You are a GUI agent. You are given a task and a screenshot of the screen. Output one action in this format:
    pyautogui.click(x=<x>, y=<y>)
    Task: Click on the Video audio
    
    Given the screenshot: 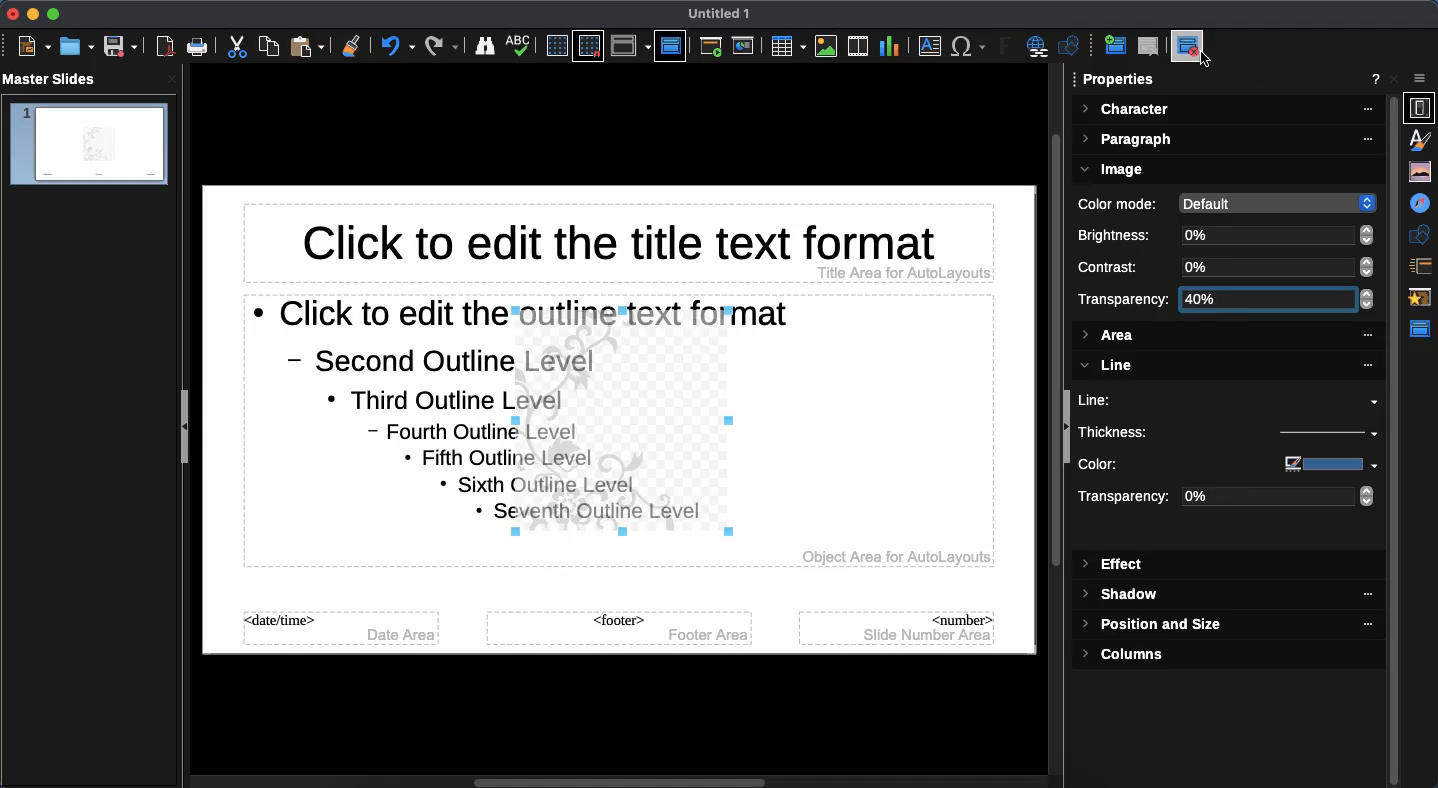 What is the action you would take?
    pyautogui.click(x=856, y=47)
    